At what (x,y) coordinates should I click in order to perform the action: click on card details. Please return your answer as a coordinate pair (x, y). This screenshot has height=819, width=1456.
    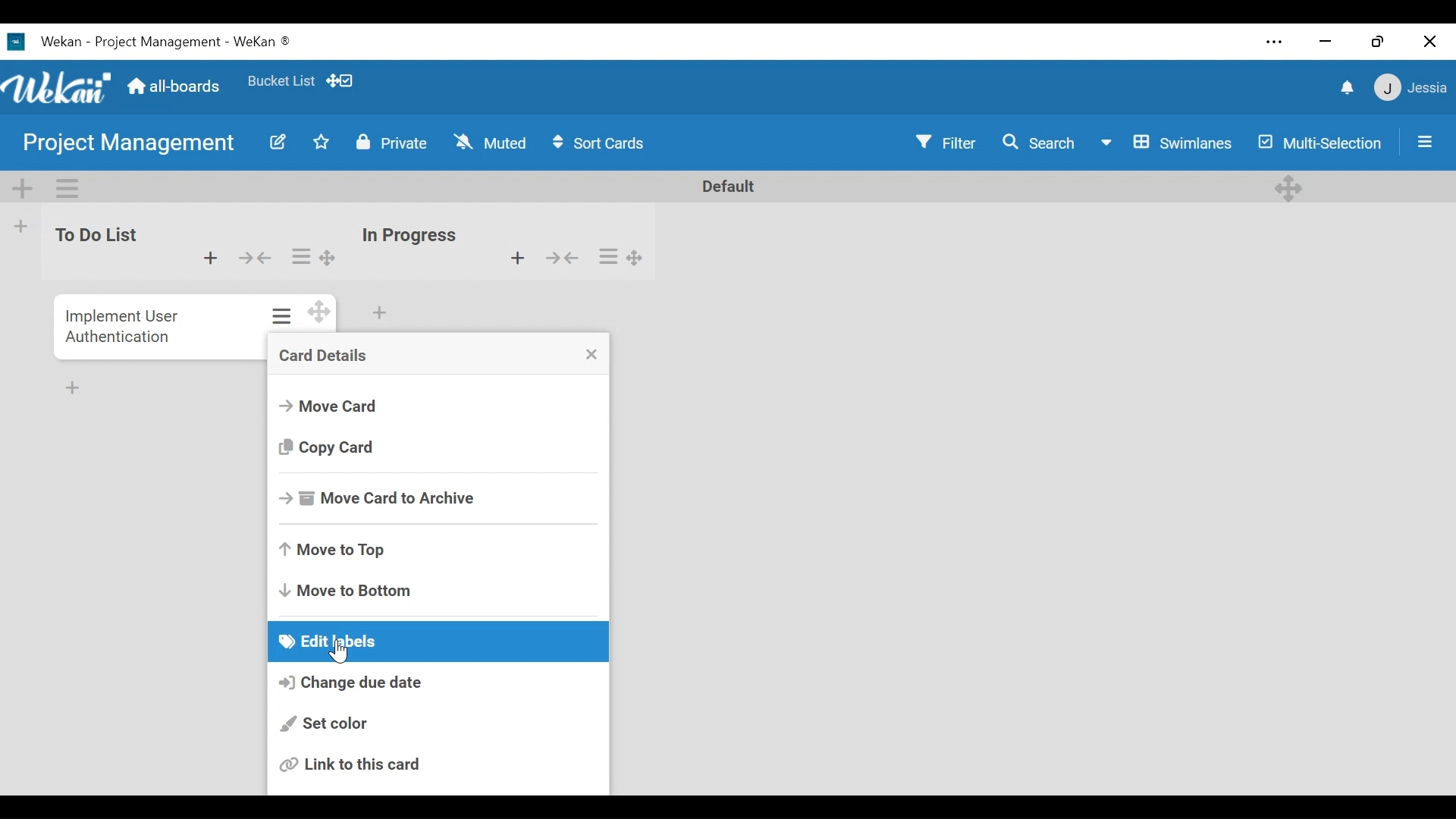
    Looking at the image, I should click on (320, 361).